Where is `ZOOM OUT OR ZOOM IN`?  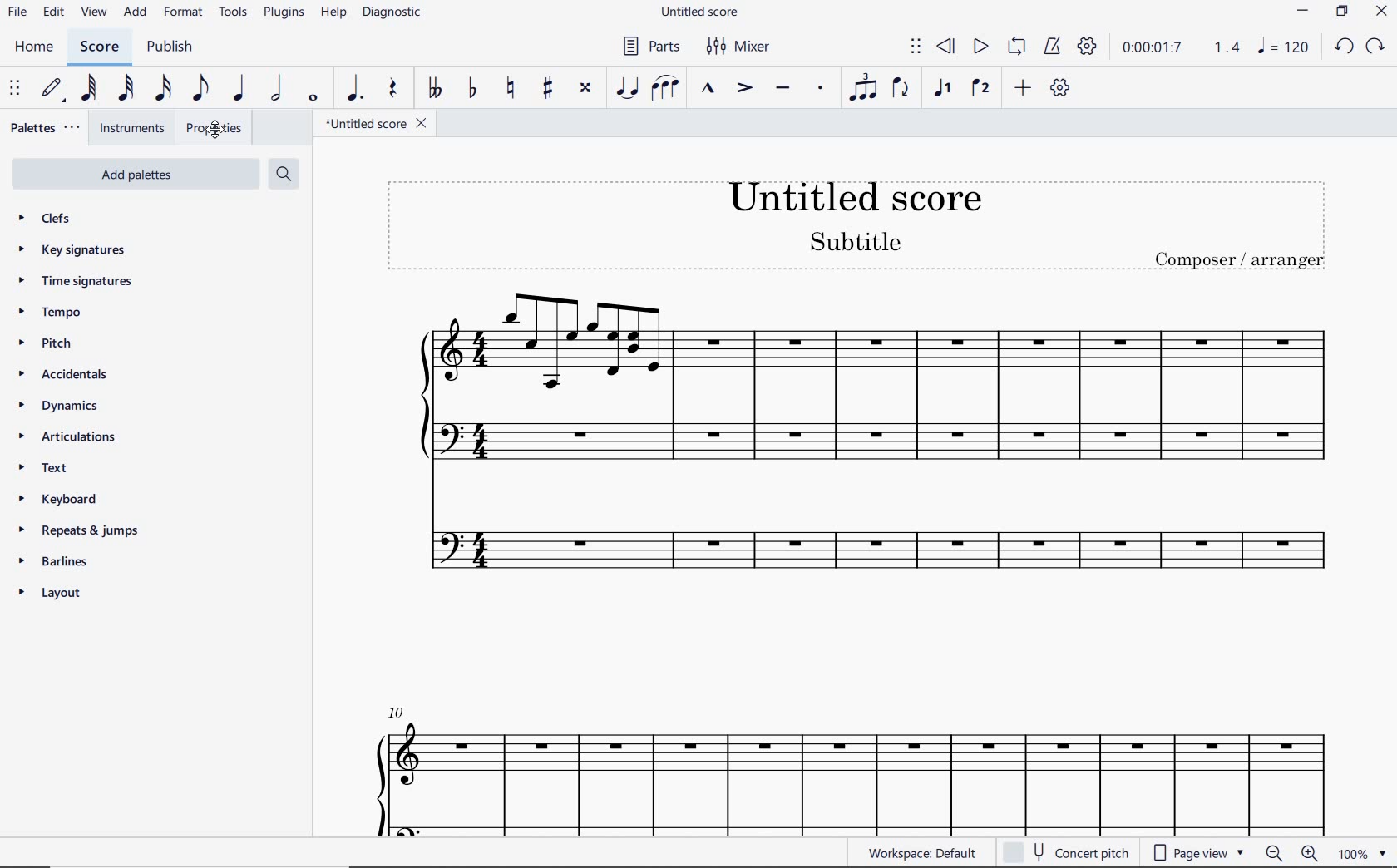
ZOOM OUT OR ZOOM IN is located at coordinates (1294, 852).